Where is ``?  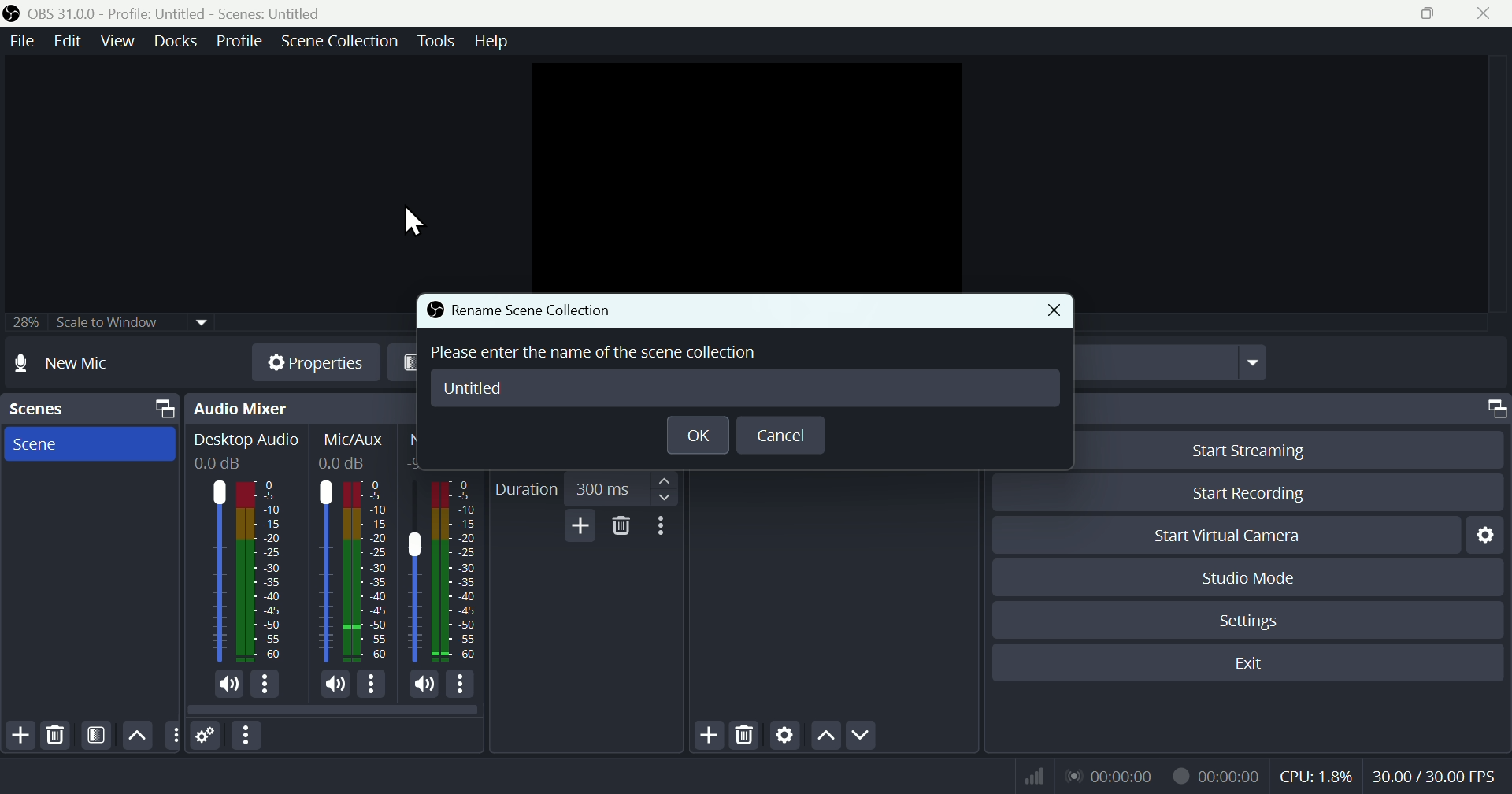
 is located at coordinates (174, 736).